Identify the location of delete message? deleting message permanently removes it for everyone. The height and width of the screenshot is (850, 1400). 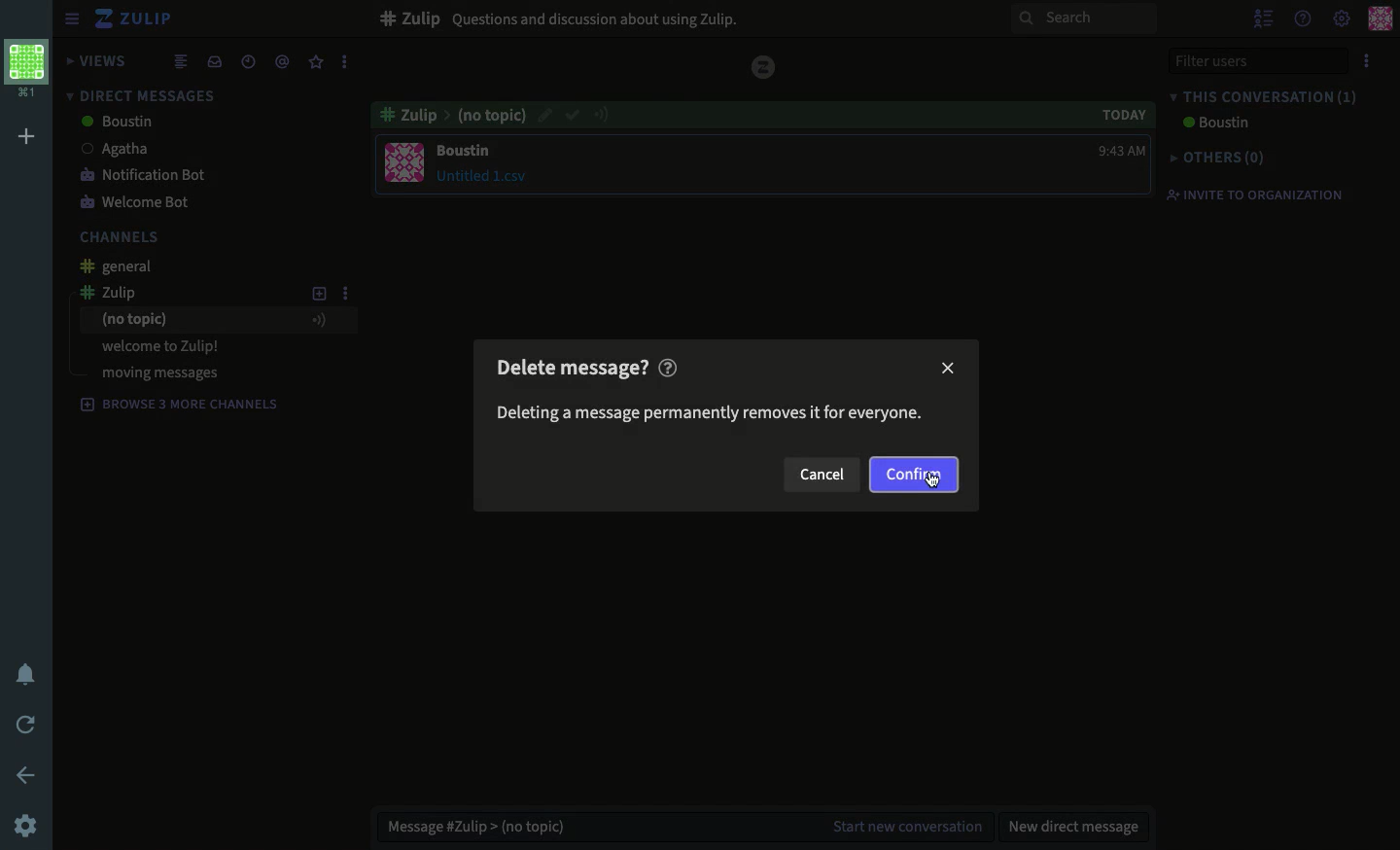
(707, 391).